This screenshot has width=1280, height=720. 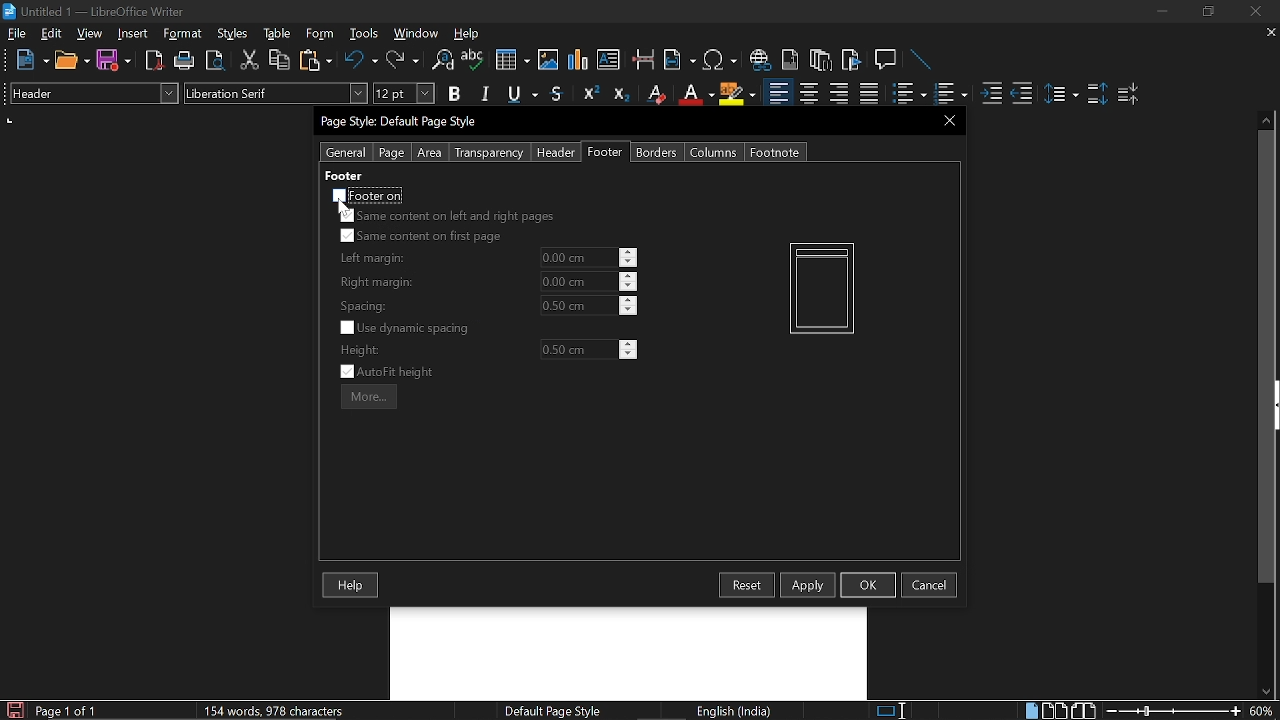 What do you see at coordinates (1031, 710) in the screenshot?
I see `Single page view` at bounding box center [1031, 710].